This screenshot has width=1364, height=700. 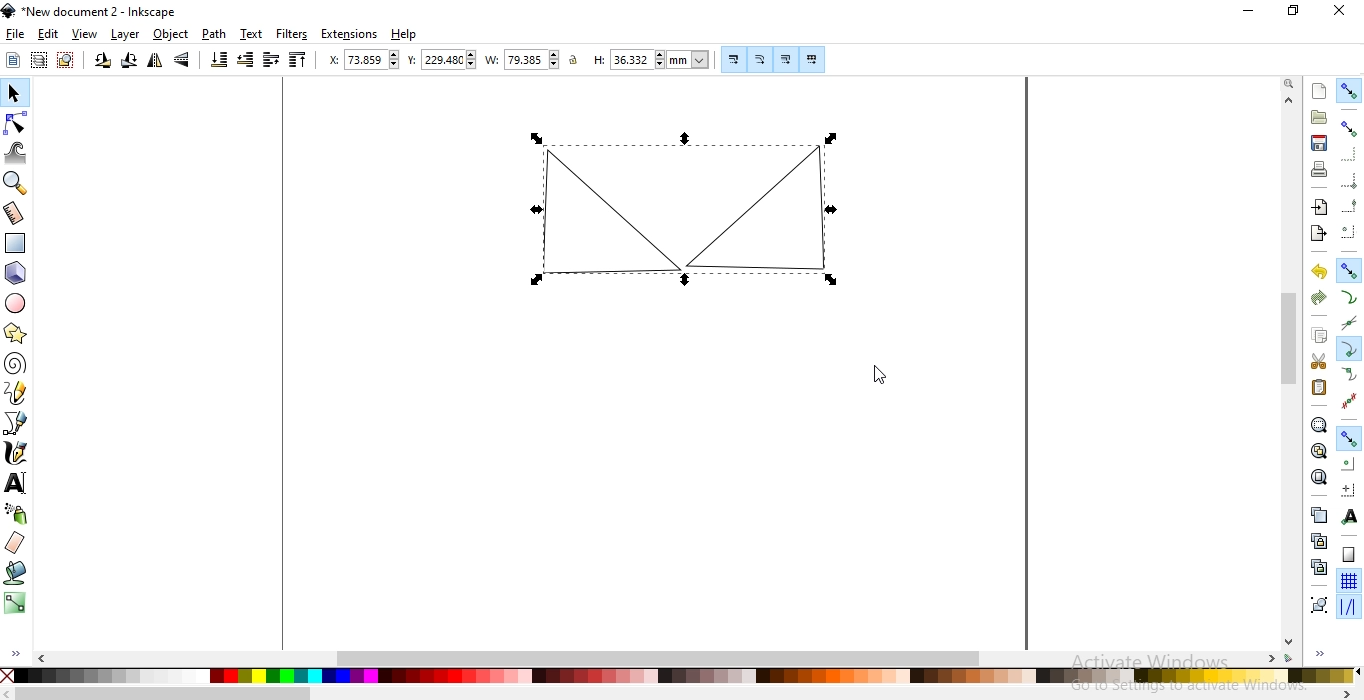 I want to click on spray objects by sculpting or painting, so click(x=17, y=515).